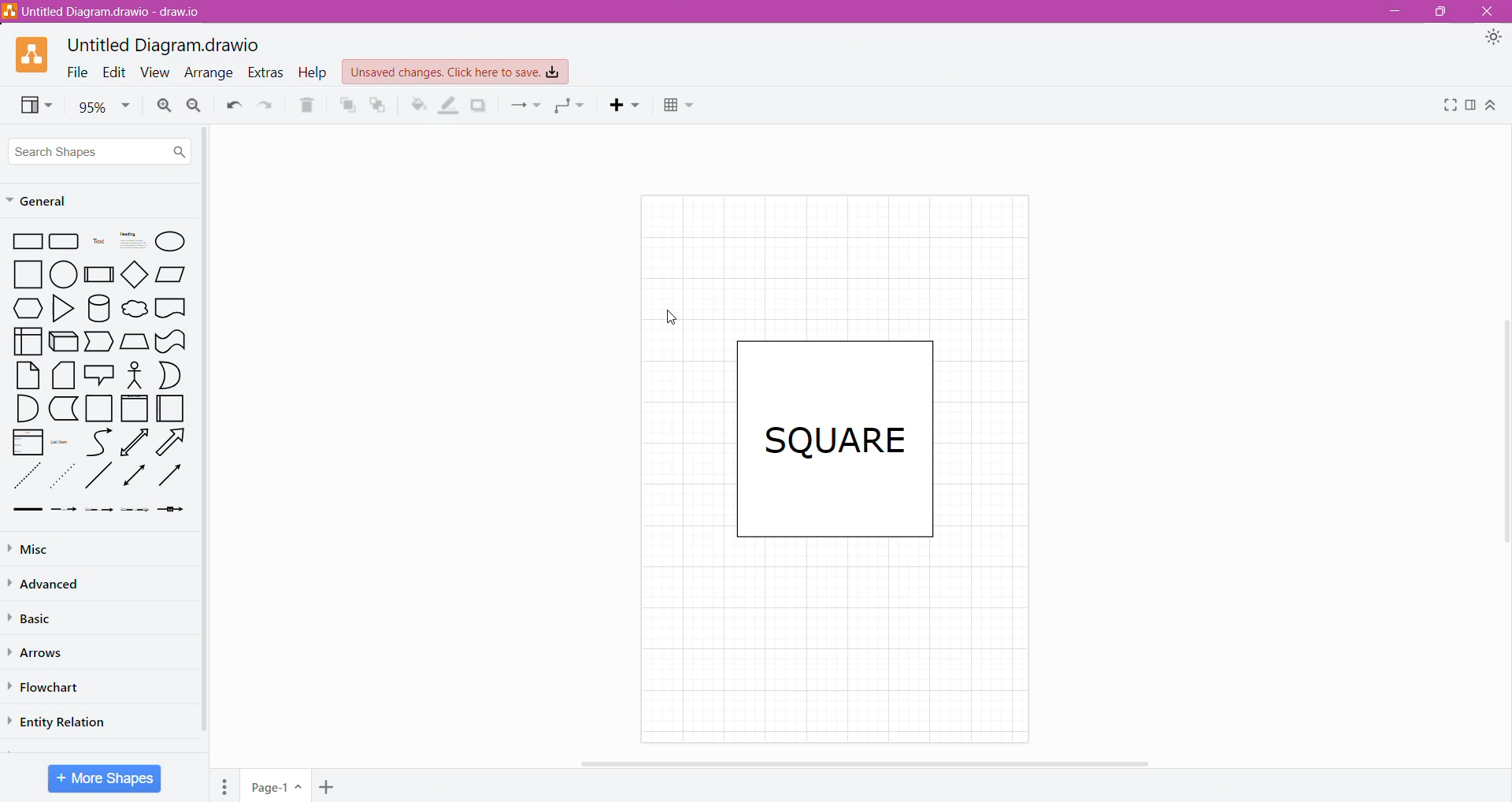  What do you see at coordinates (63, 376) in the screenshot?
I see `Stacked Papers` at bounding box center [63, 376].